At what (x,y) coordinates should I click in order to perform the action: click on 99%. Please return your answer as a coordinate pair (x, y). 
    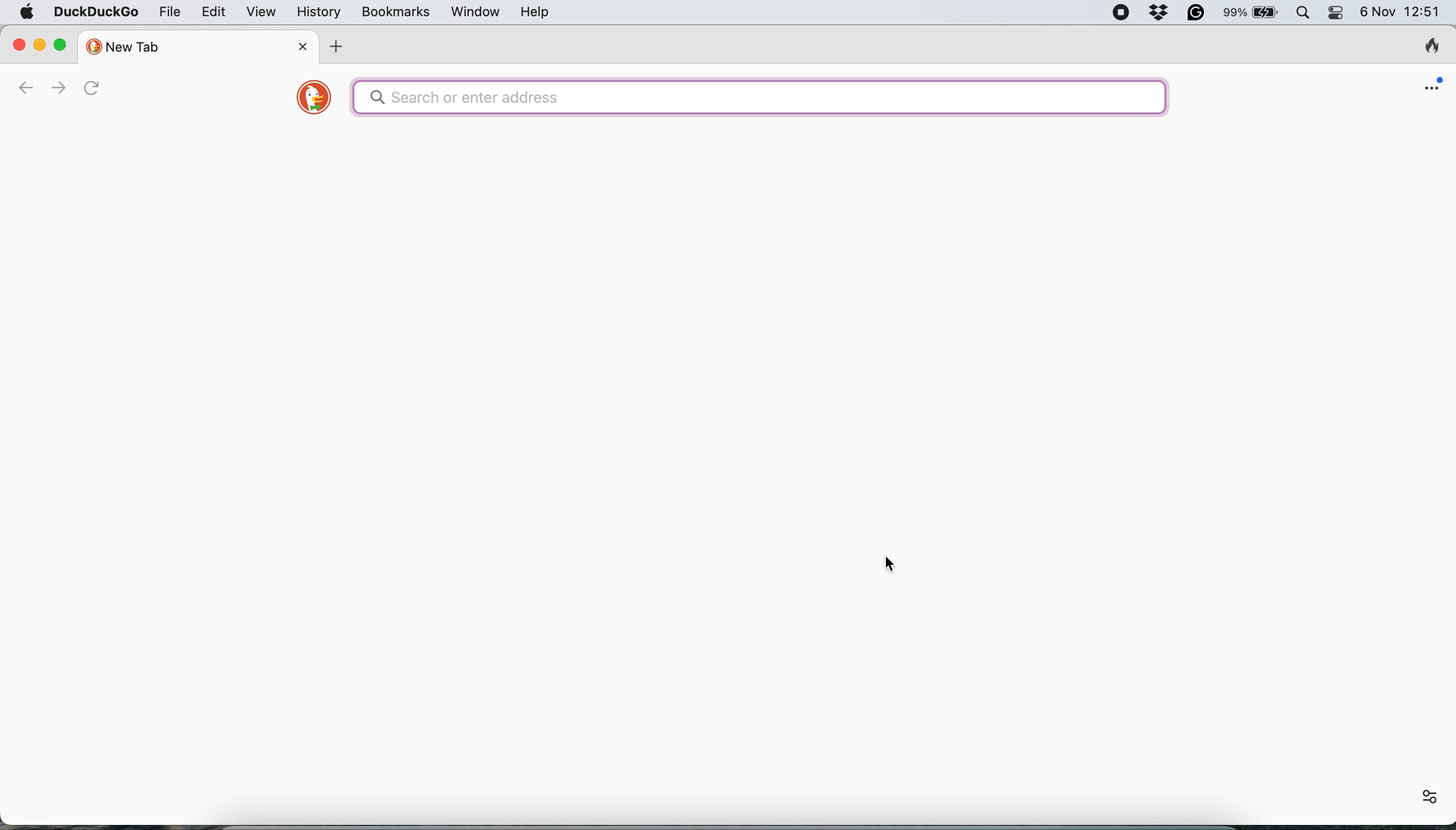
    Looking at the image, I should click on (1231, 14).